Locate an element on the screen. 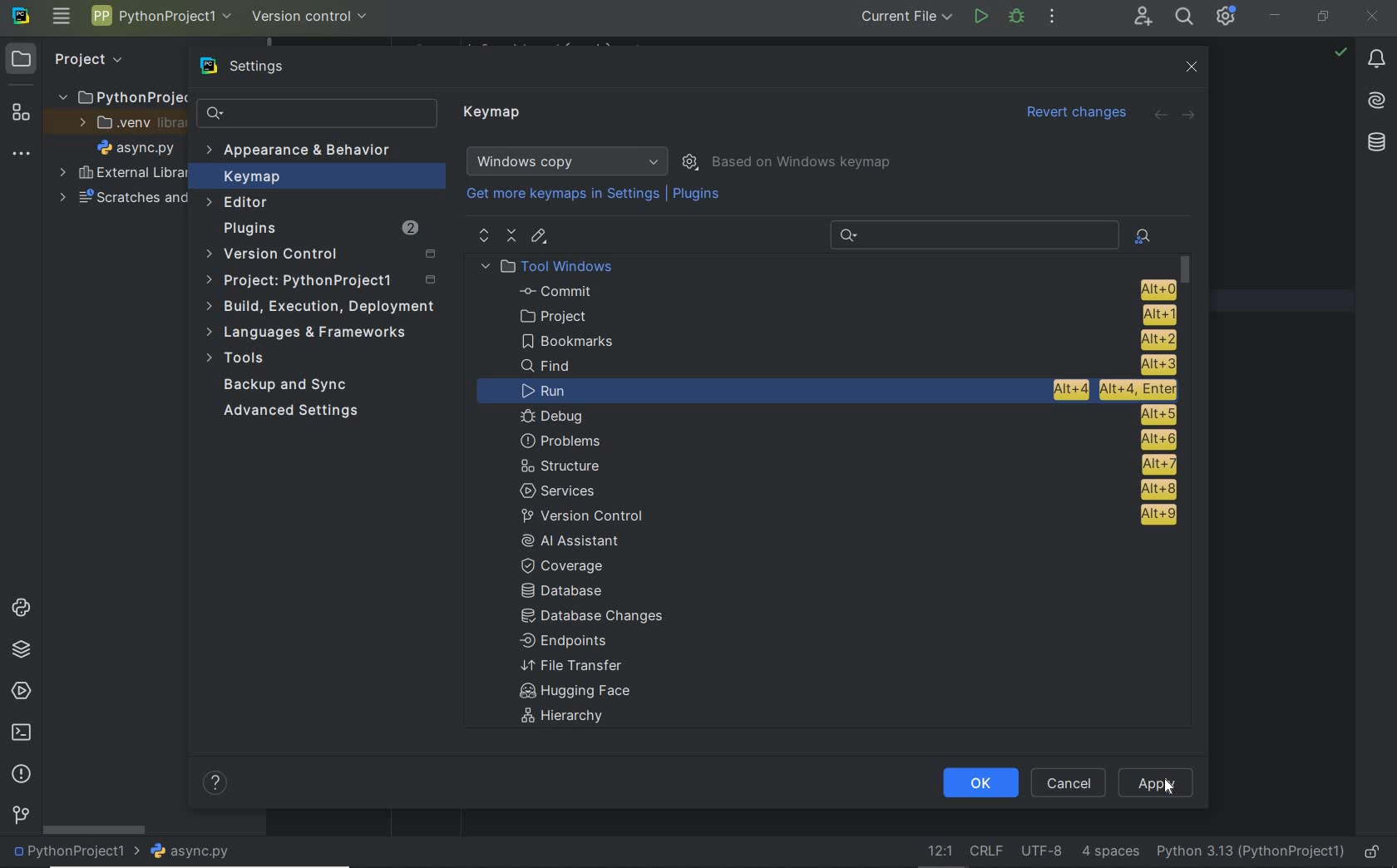 This screenshot has height=868, width=1397. .venv is located at coordinates (124, 123).